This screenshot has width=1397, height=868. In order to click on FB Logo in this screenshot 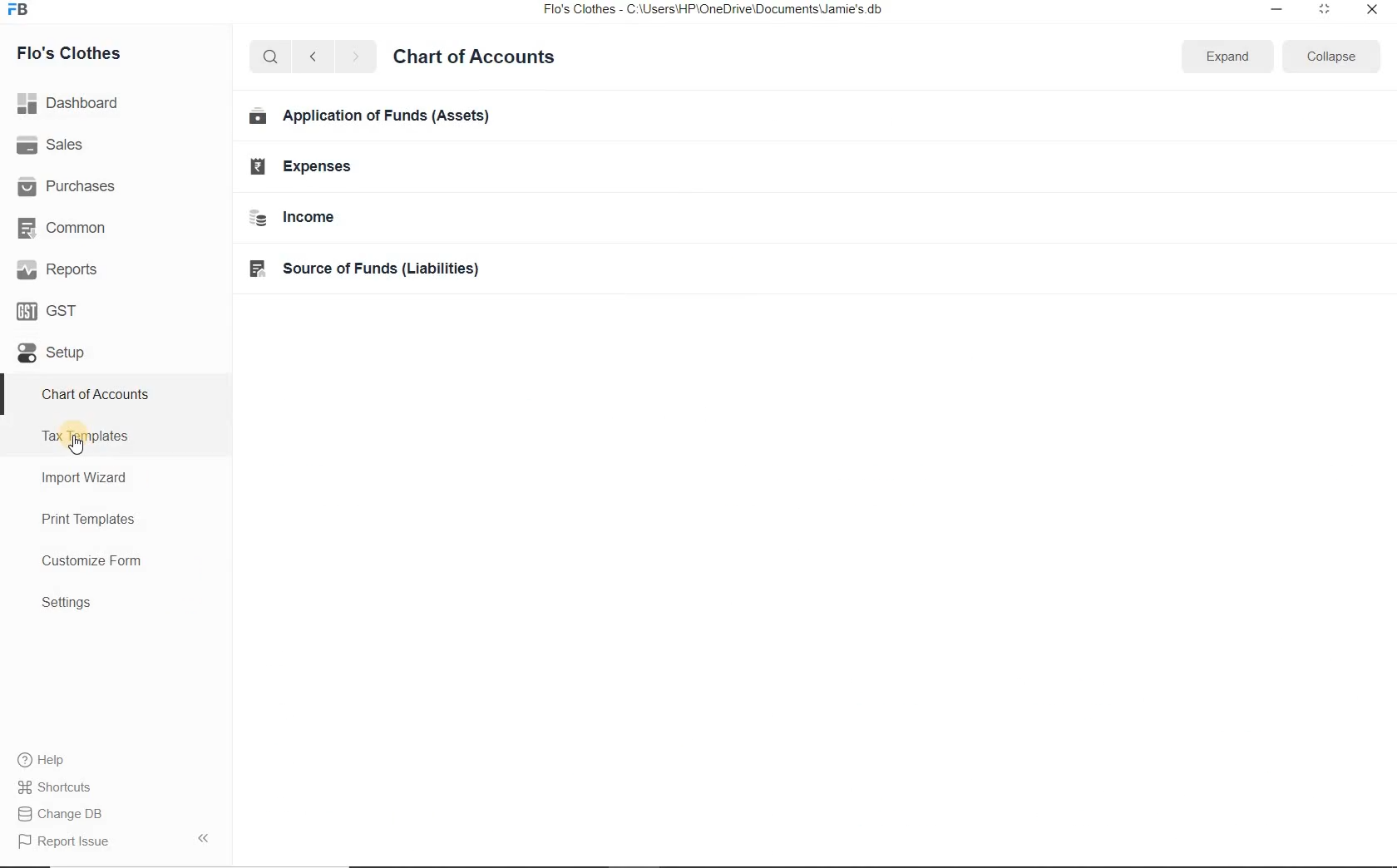, I will do `click(17, 10)`.